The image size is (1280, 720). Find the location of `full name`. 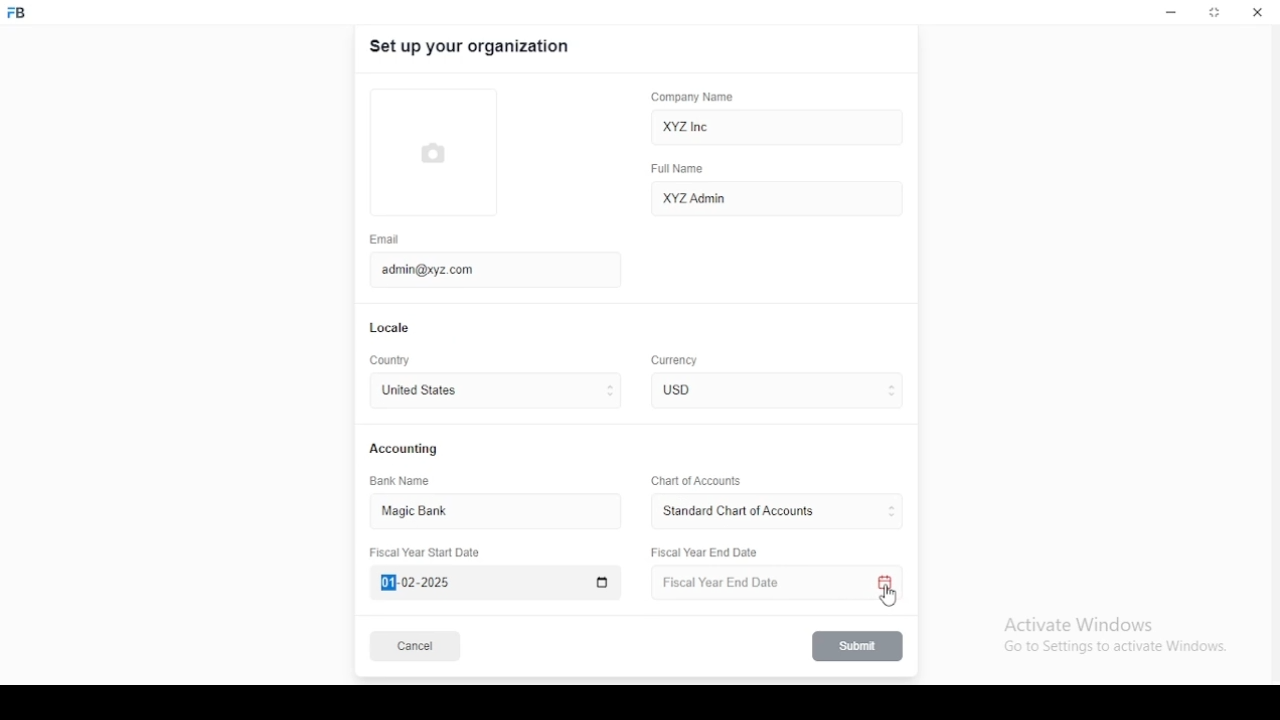

full name is located at coordinates (683, 169).